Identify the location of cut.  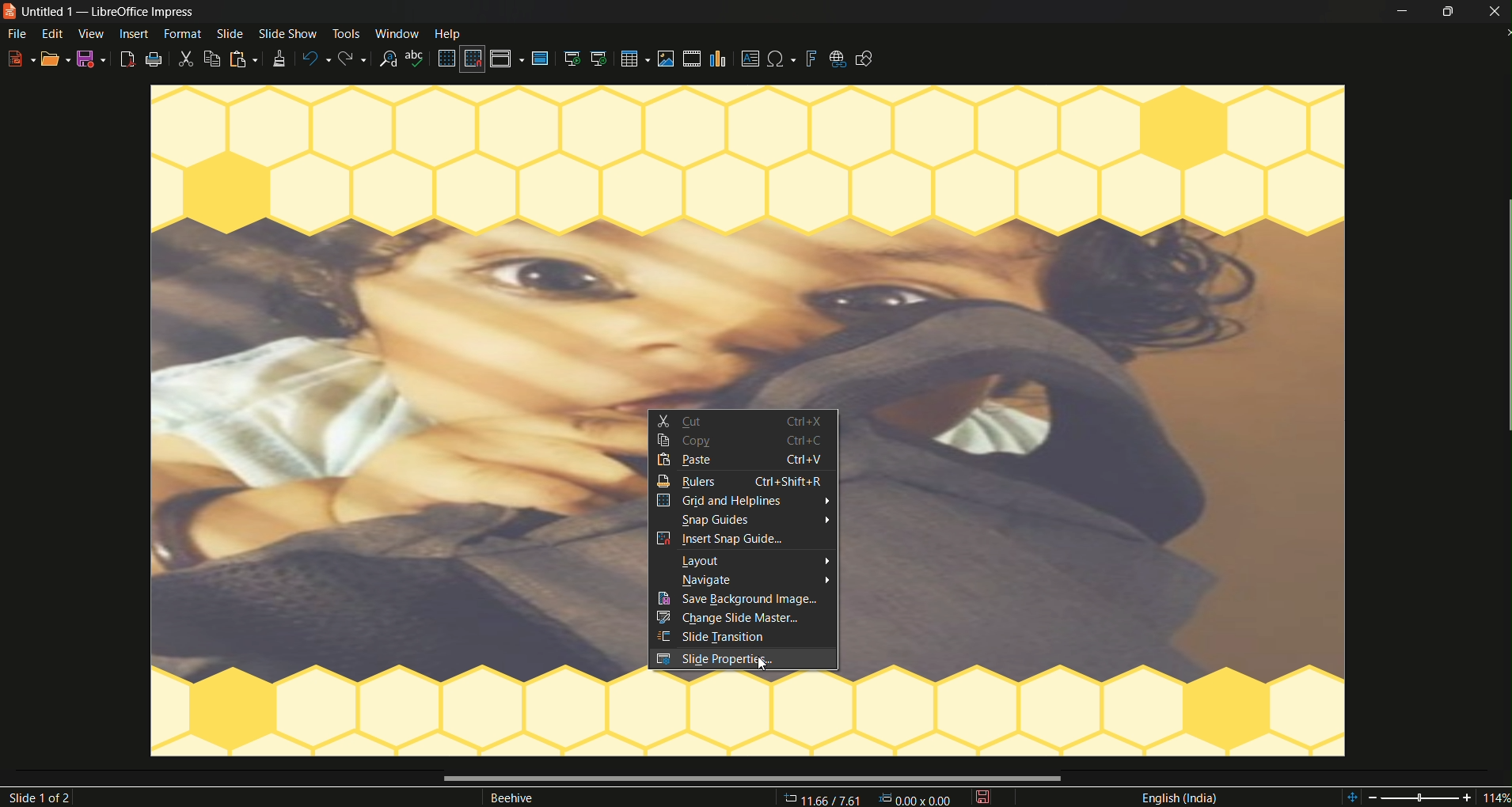
(187, 59).